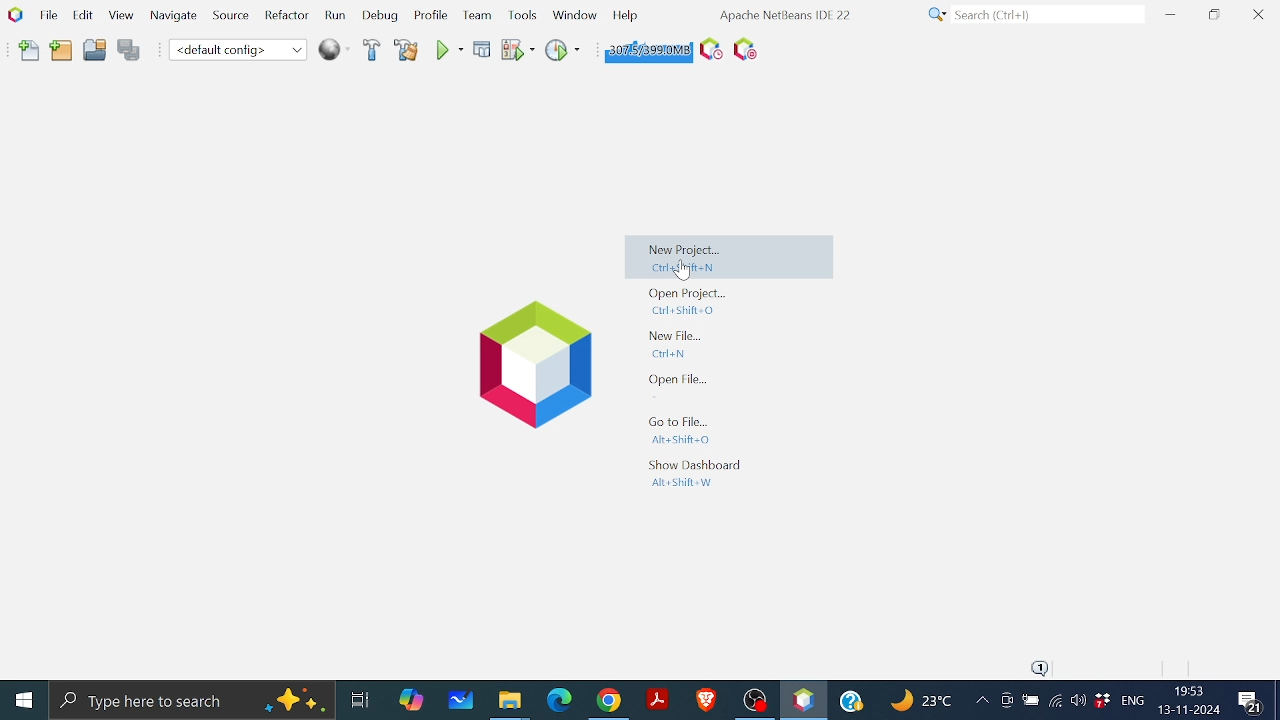  What do you see at coordinates (680, 343) in the screenshot?
I see `New file` at bounding box center [680, 343].